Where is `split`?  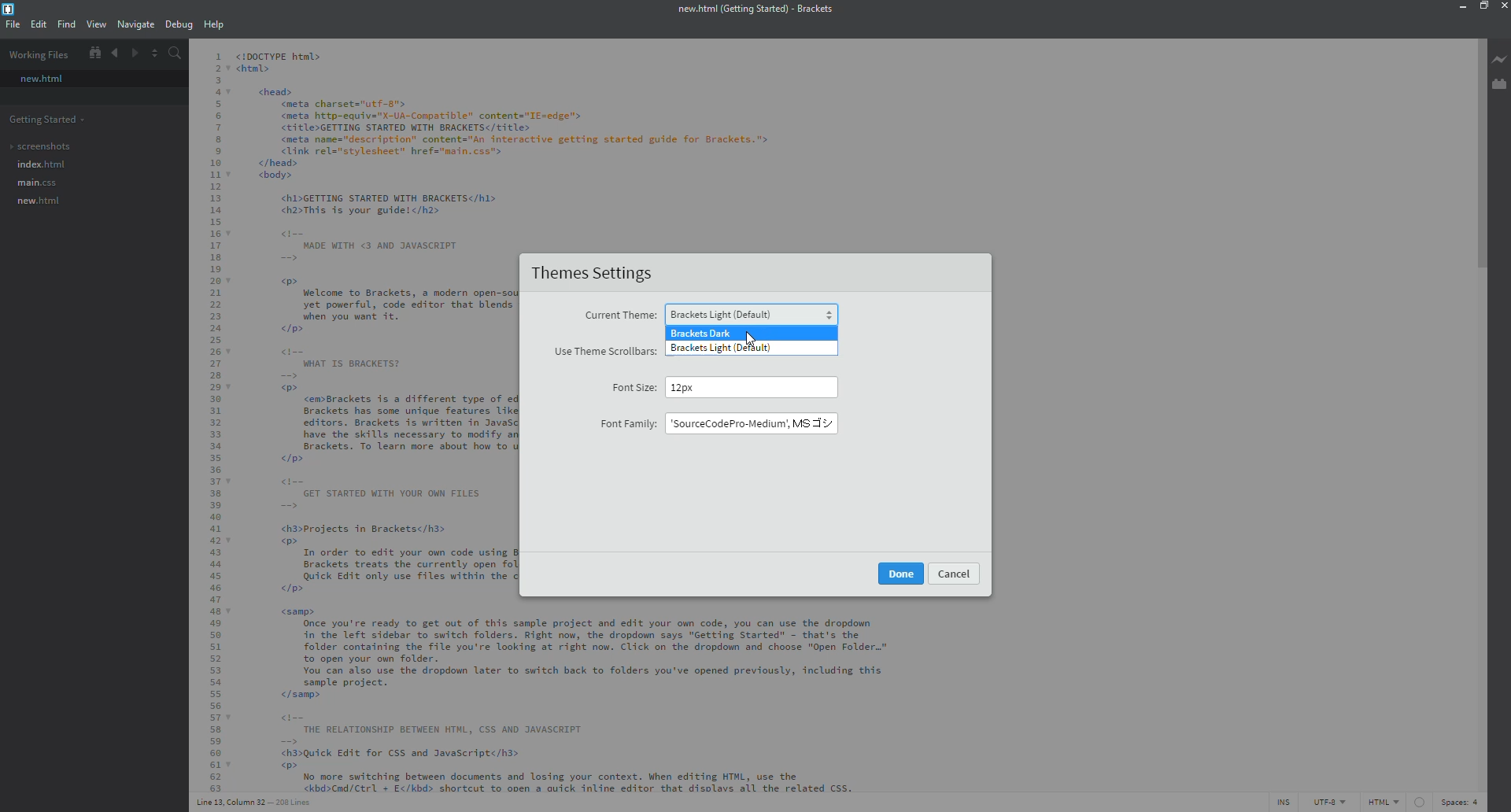 split is located at coordinates (153, 53).